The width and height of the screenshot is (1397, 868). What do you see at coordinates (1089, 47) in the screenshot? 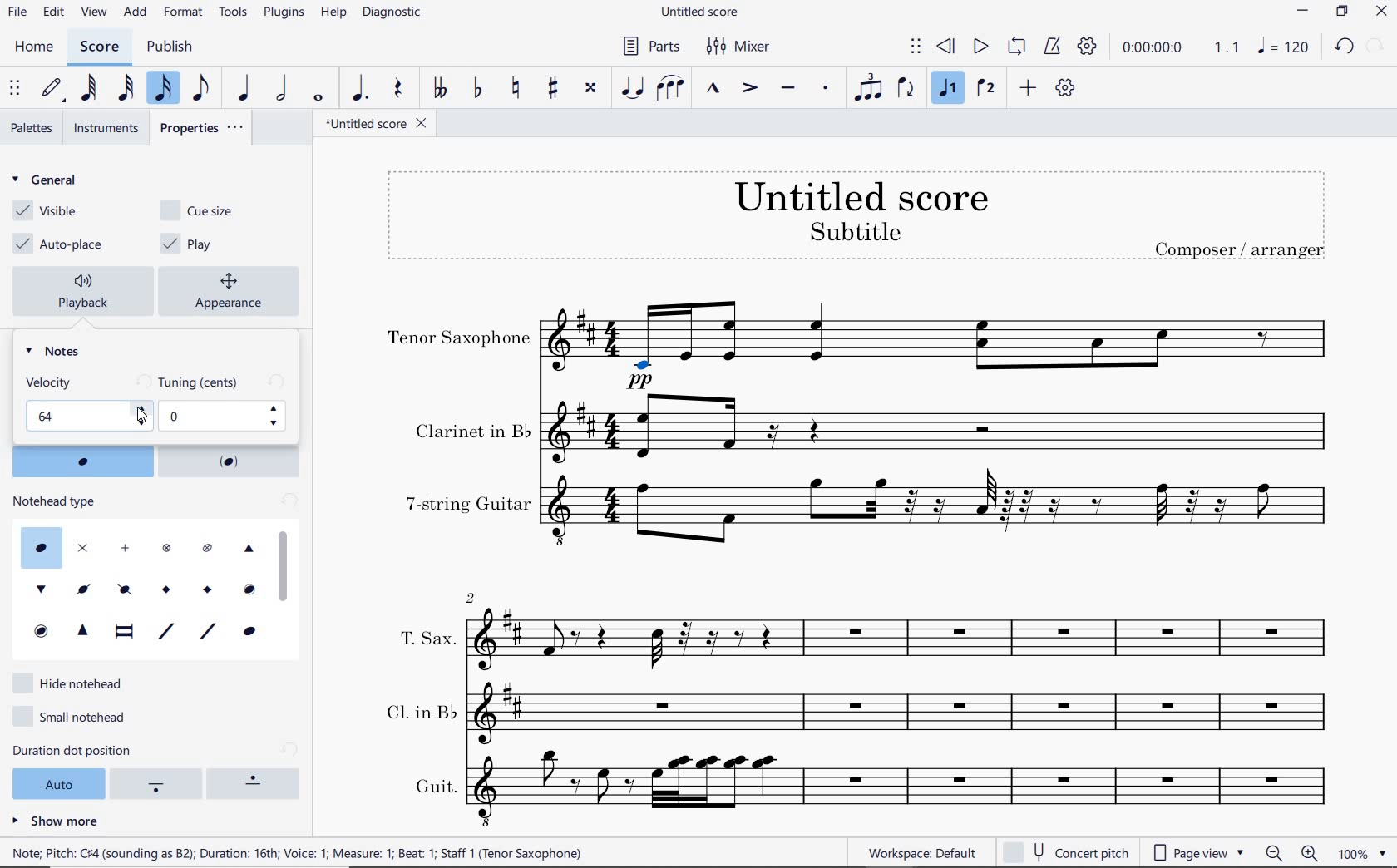
I see `PLAYBACK SETTINGS` at bounding box center [1089, 47].